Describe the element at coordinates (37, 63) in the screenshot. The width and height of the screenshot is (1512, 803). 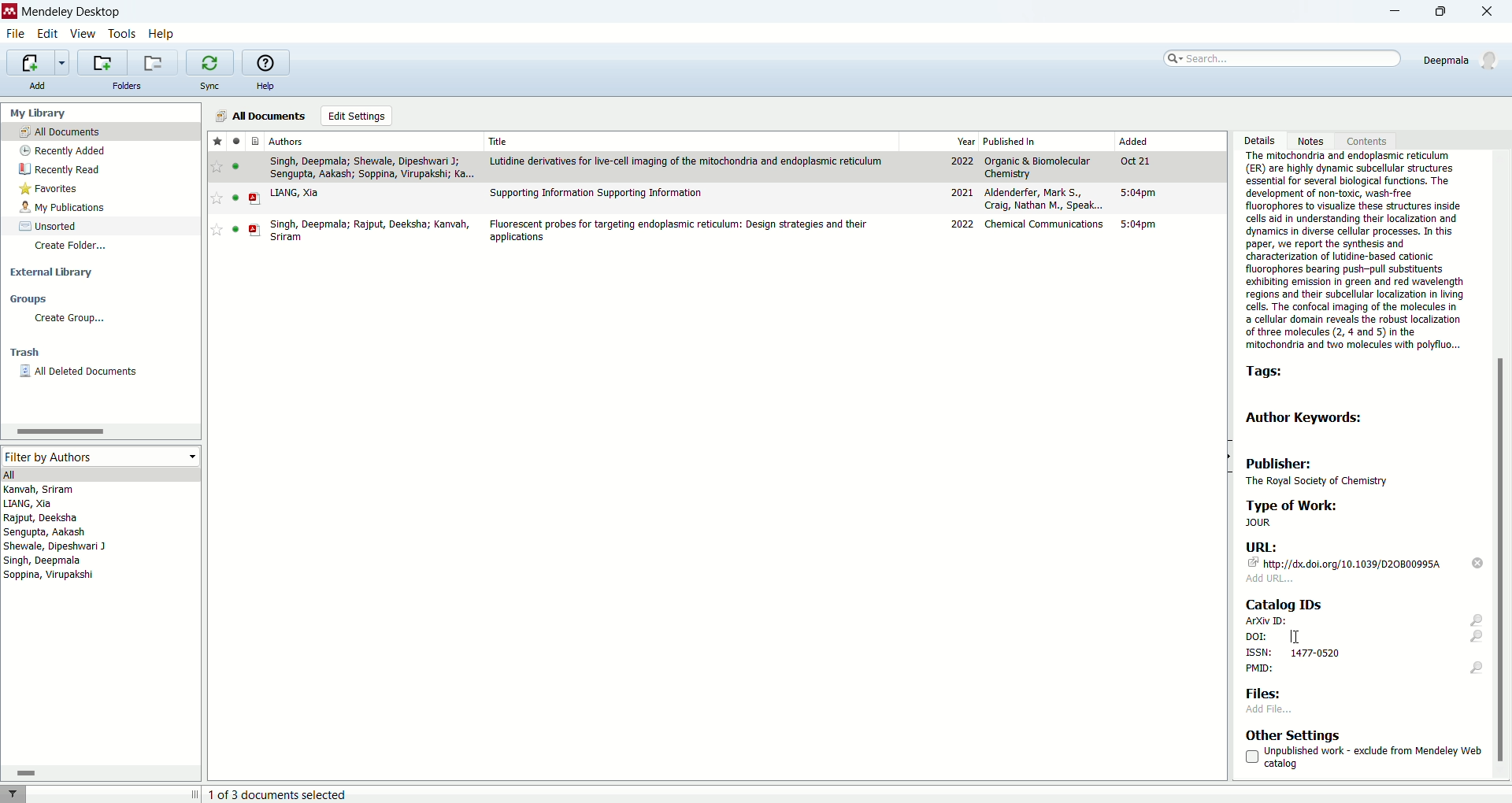
I see `imports` at that location.